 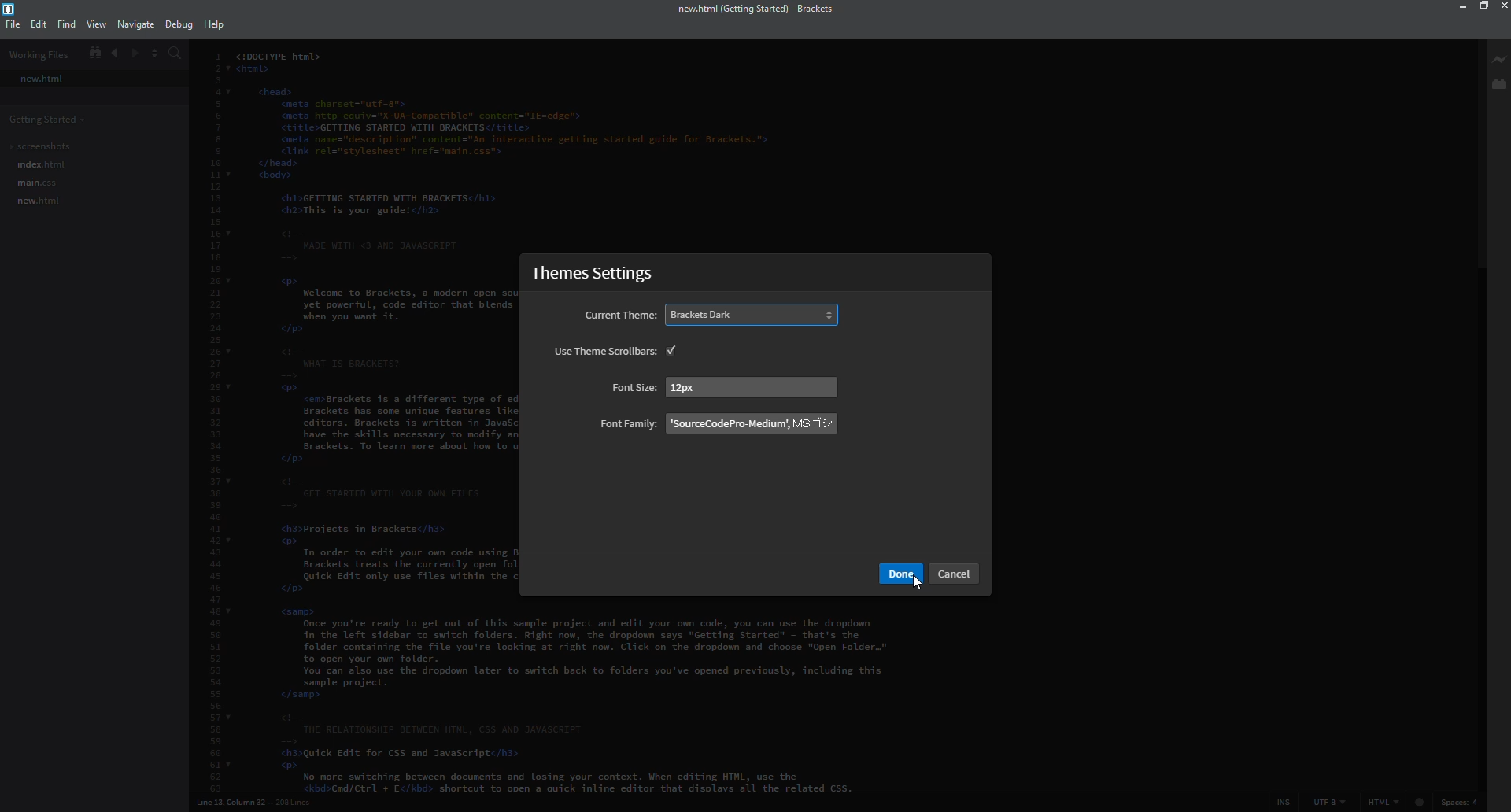 I want to click on , so click(x=900, y=573).